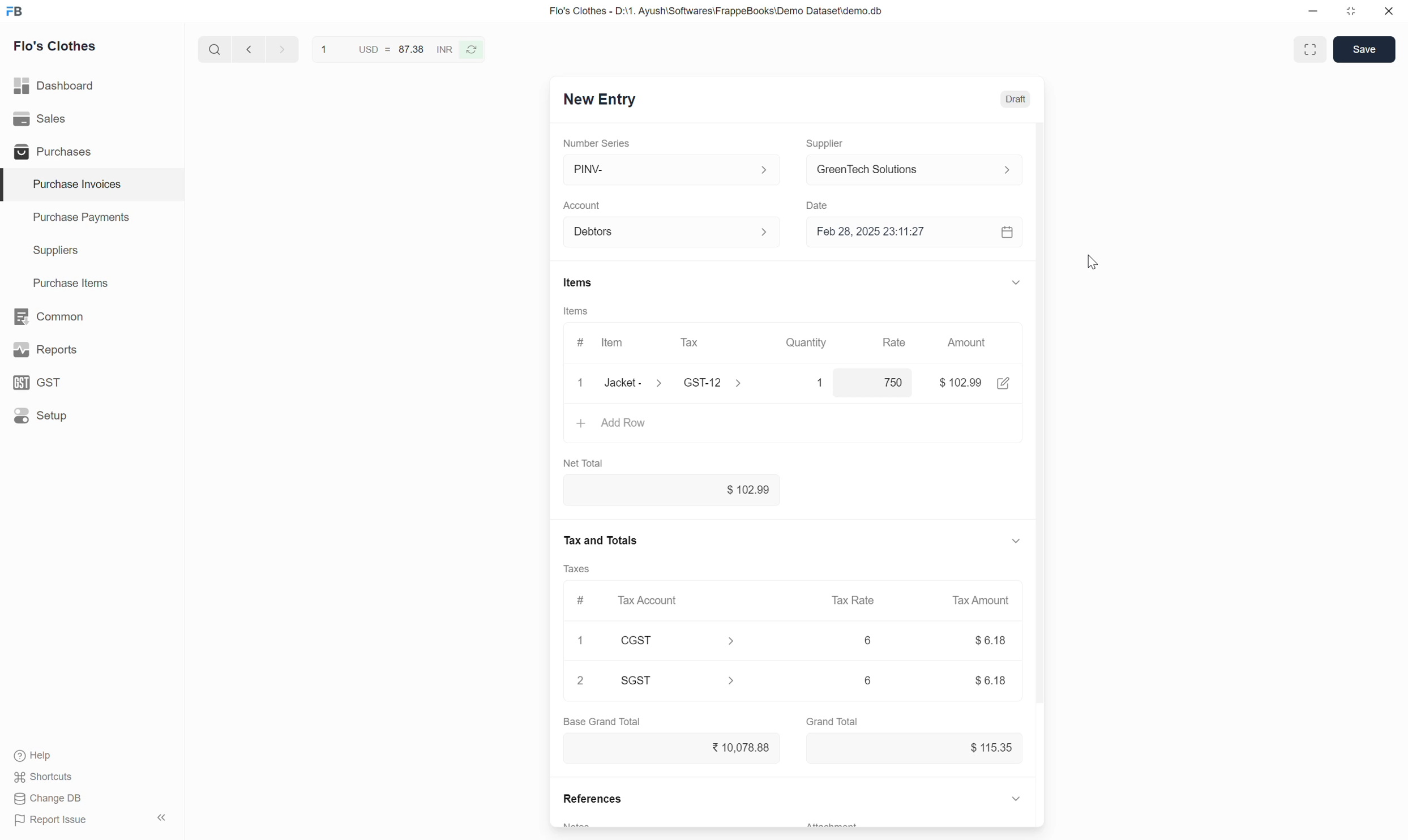 This screenshot has height=840, width=1408. I want to click on Search, so click(215, 49).